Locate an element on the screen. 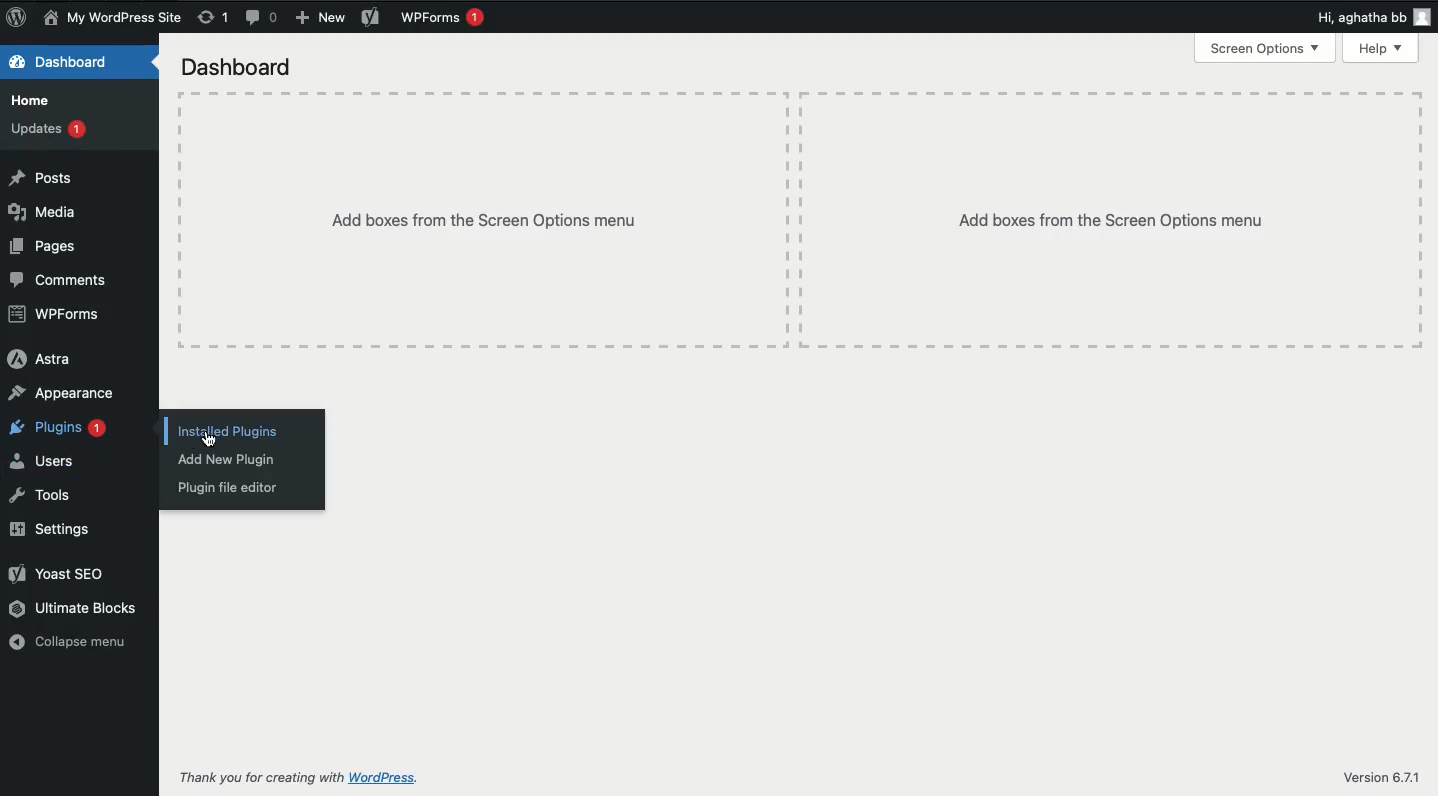 Image resolution: width=1438 pixels, height=796 pixels. Thank you for creating with WordPress is located at coordinates (262, 777).